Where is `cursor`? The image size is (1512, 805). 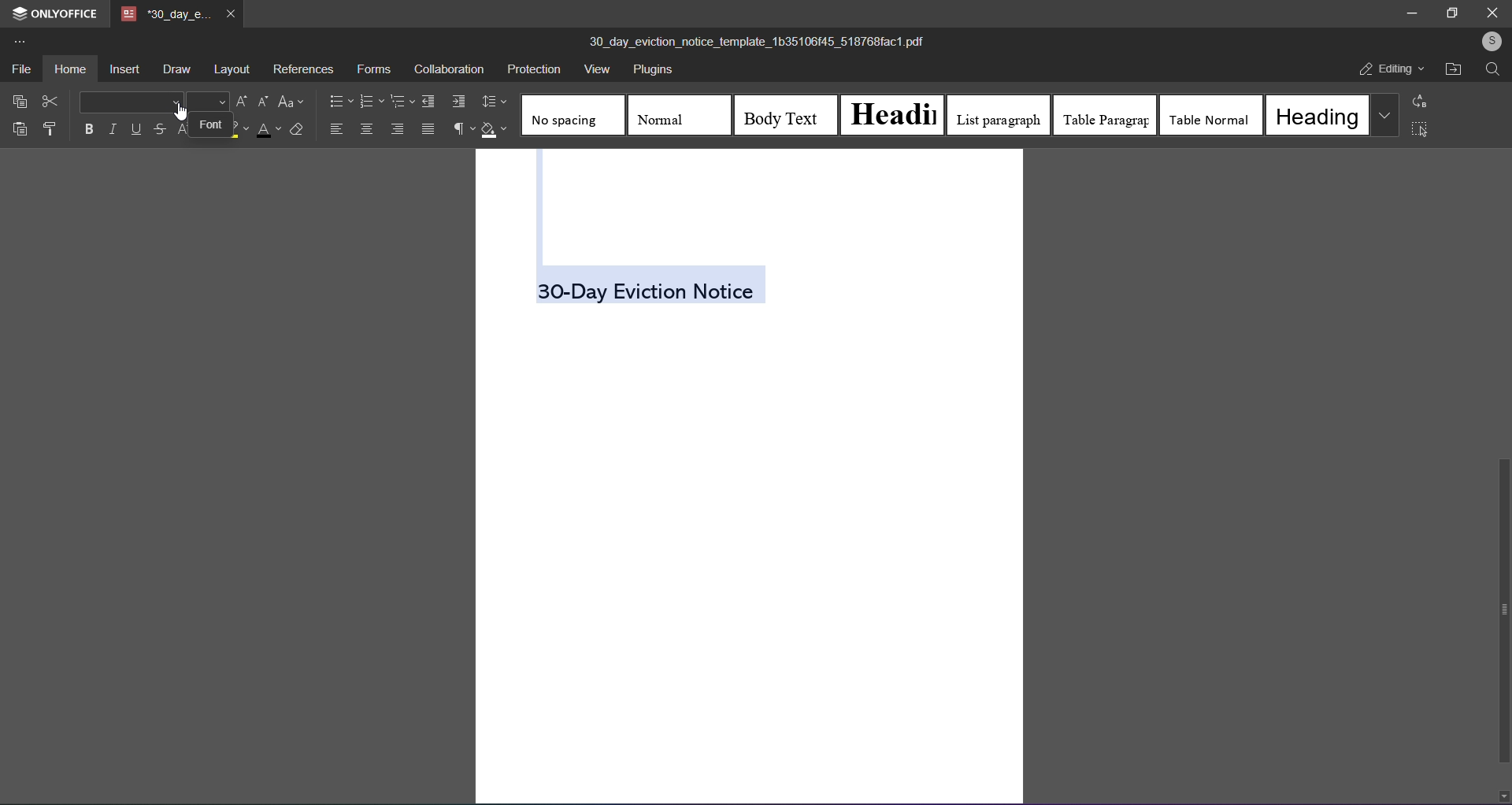
cursor is located at coordinates (180, 110).